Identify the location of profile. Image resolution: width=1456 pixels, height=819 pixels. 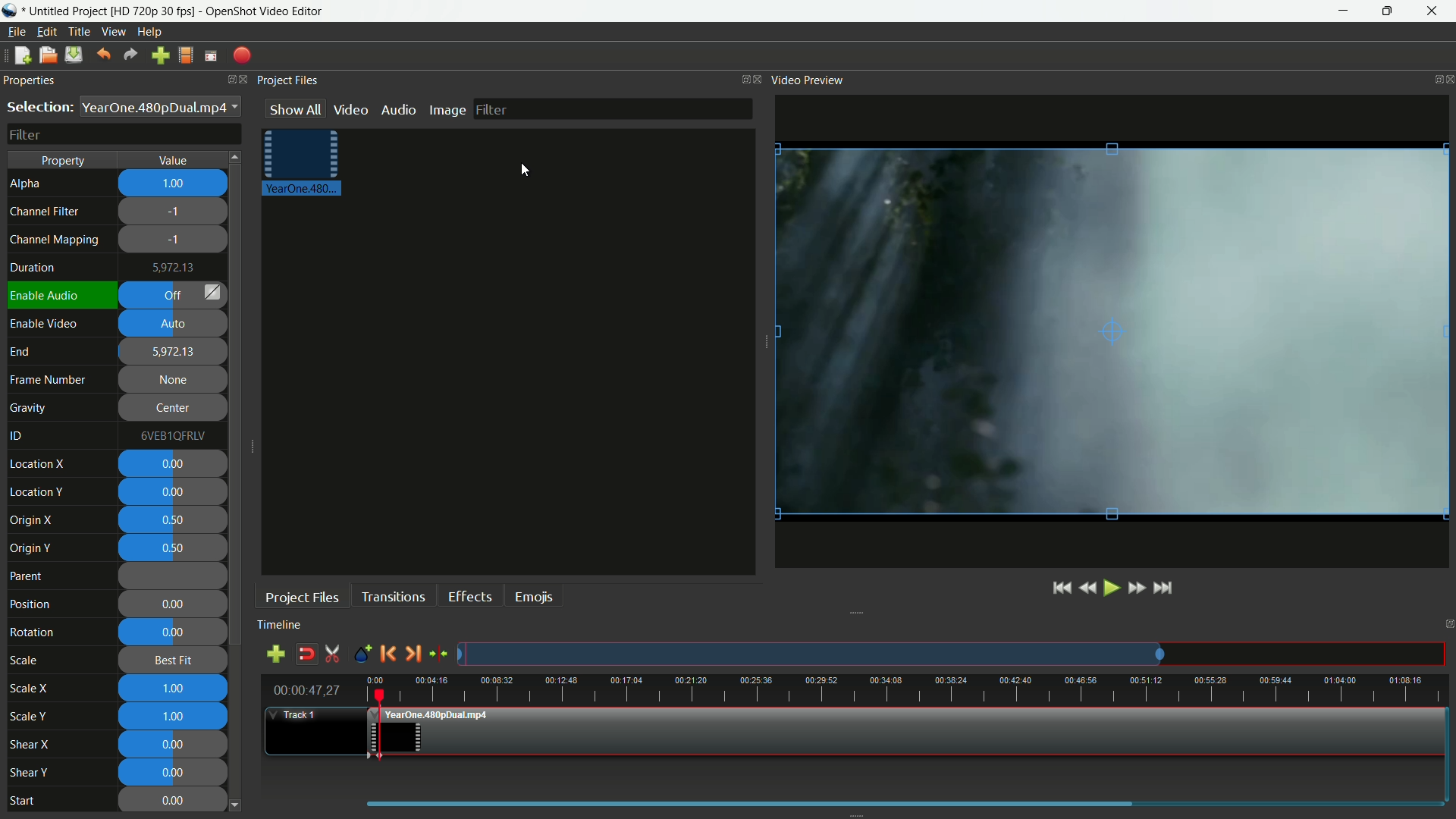
(152, 11).